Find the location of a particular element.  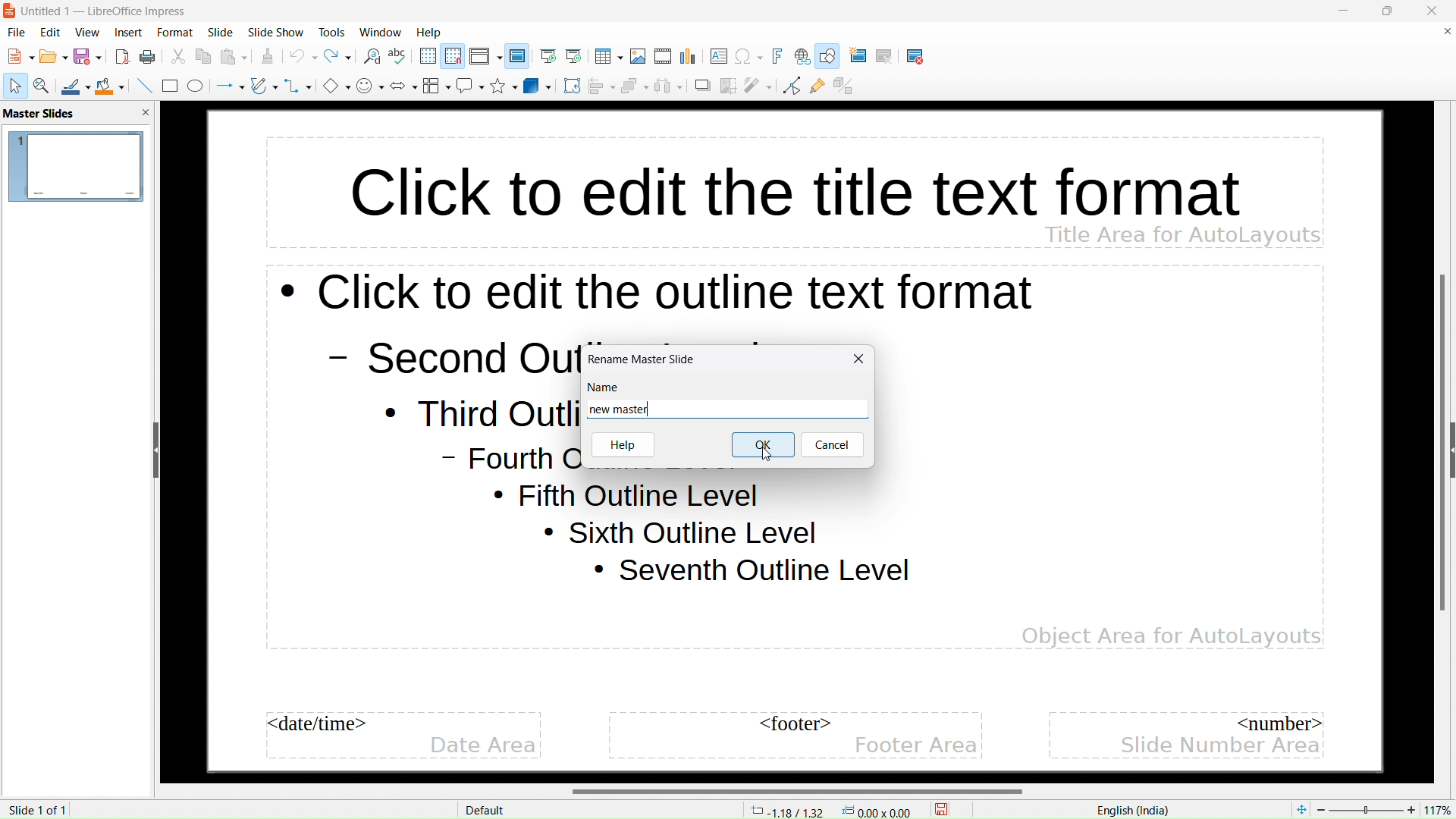

zoom factor is located at coordinates (1441, 808).